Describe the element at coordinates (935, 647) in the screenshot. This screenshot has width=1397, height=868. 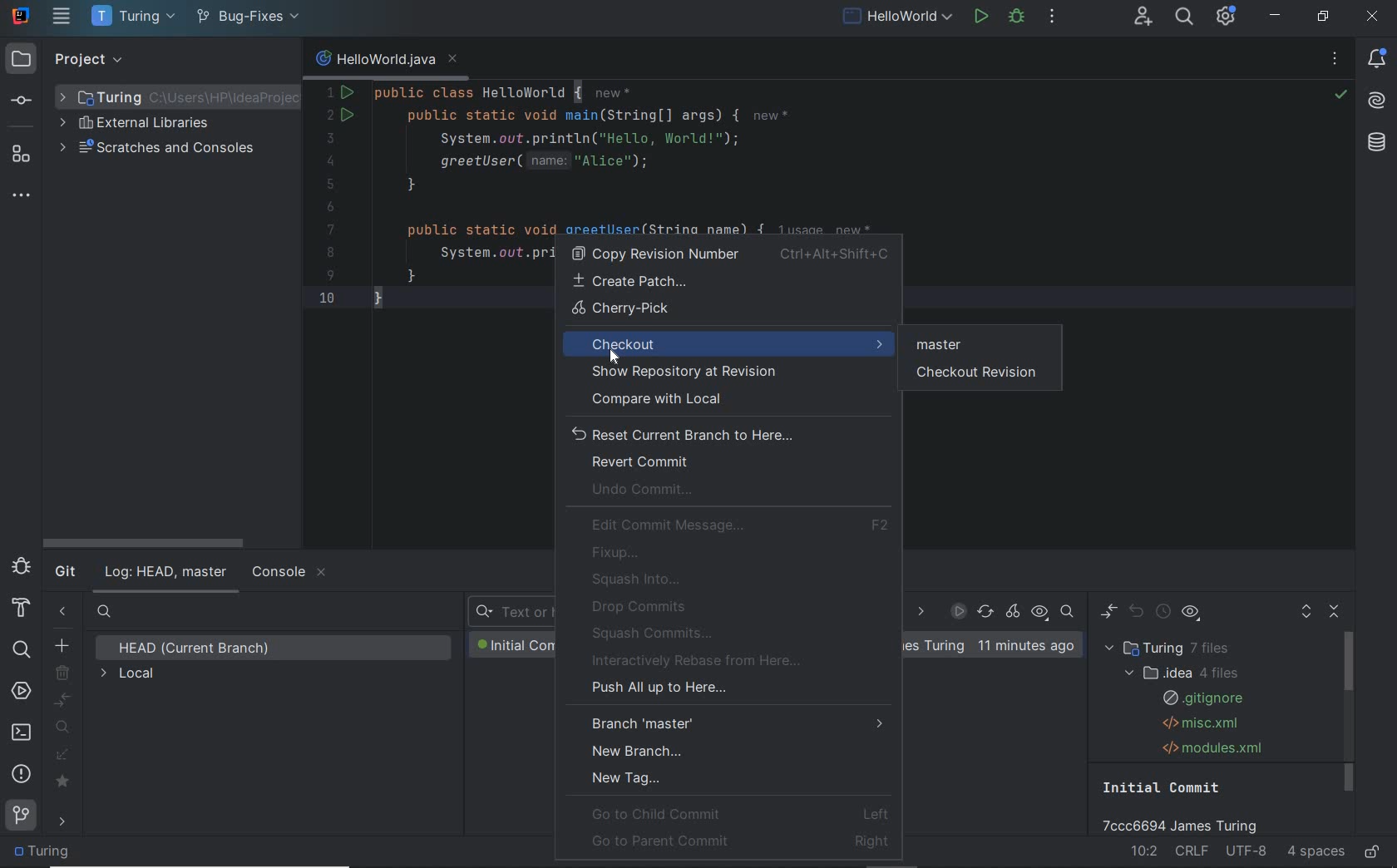
I see `BUG-FIXES` at that location.